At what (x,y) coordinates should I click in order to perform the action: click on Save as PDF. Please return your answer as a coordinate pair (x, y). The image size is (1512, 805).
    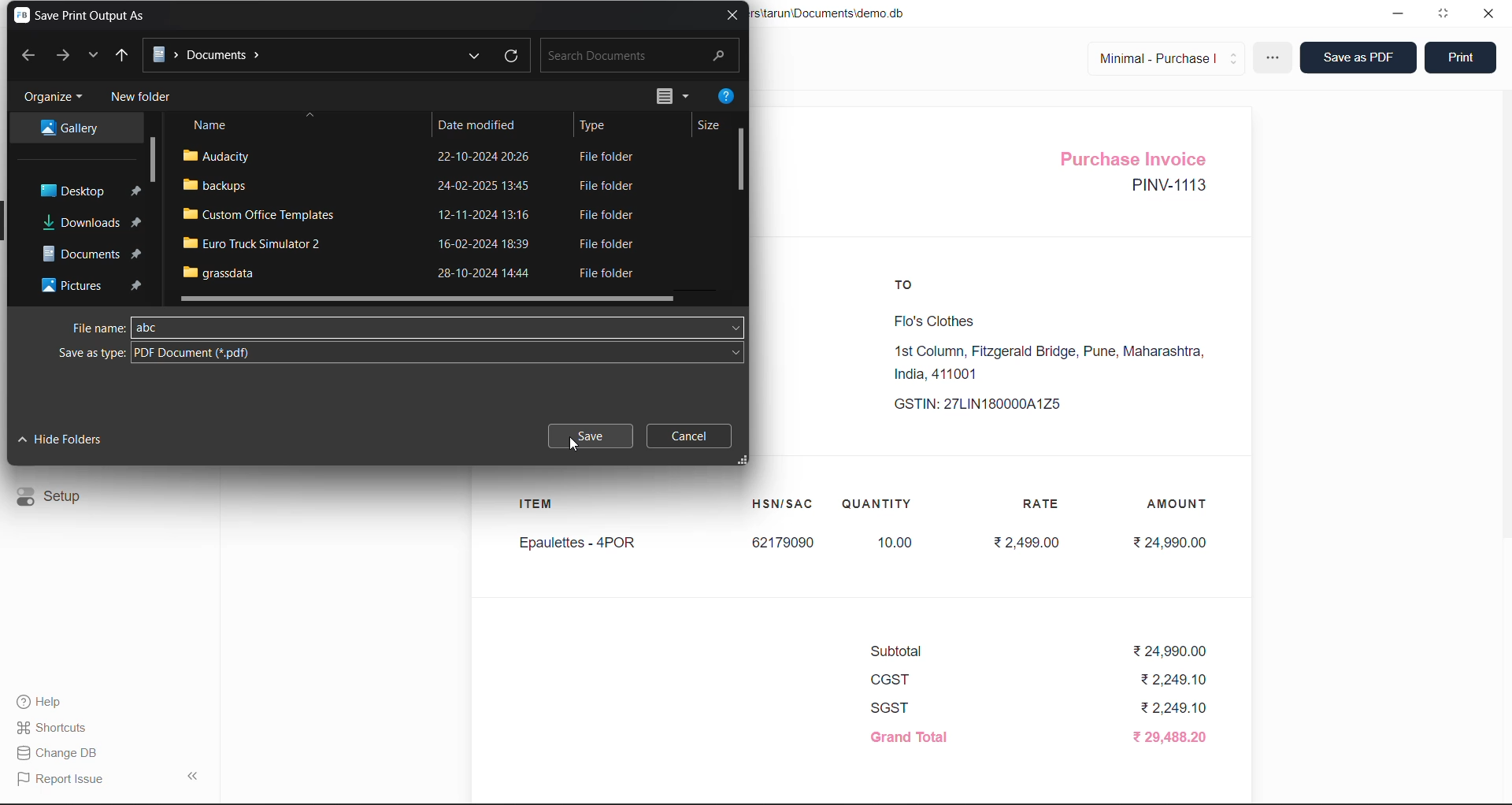
    Looking at the image, I should click on (1359, 57).